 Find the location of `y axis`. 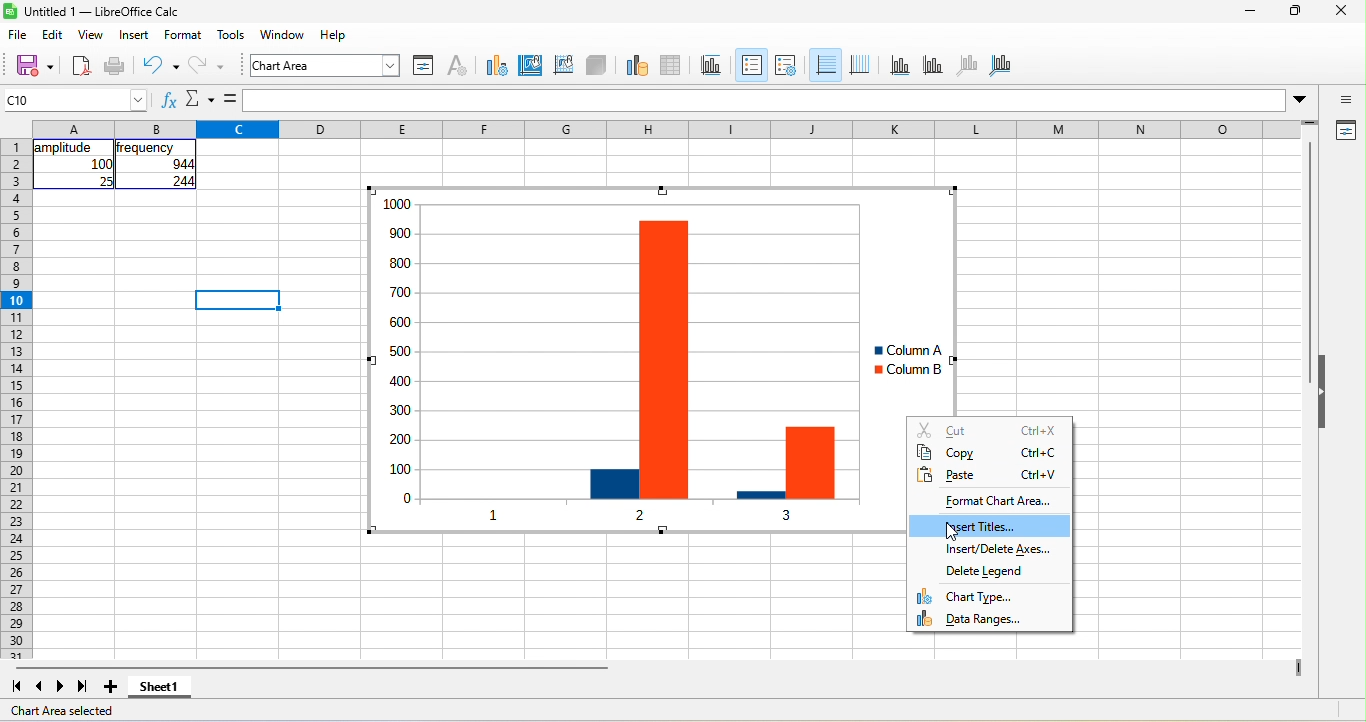

y axis is located at coordinates (933, 66).